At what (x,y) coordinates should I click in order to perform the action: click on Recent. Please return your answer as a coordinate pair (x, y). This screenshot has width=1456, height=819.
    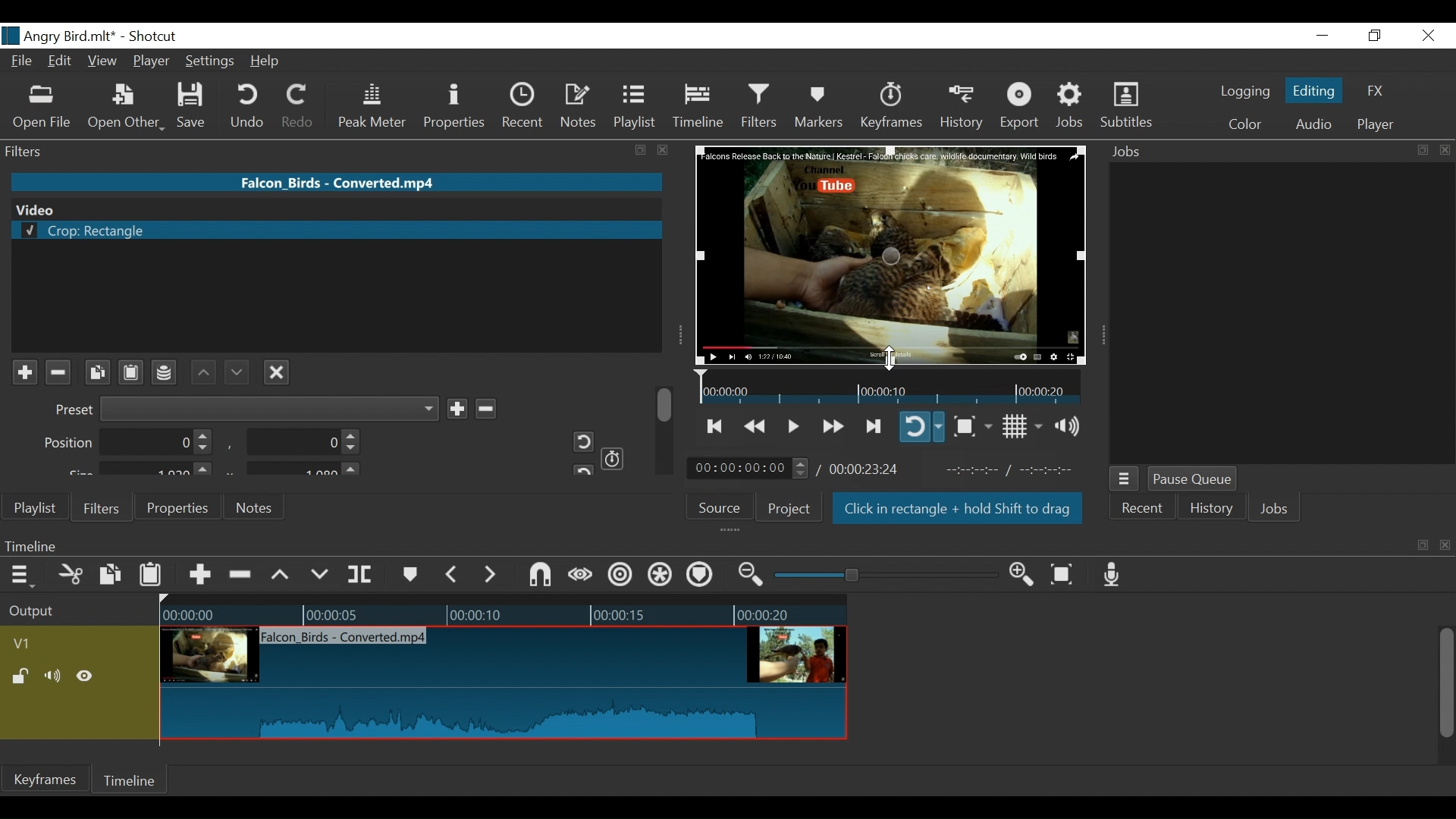
    Looking at the image, I should click on (526, 106).